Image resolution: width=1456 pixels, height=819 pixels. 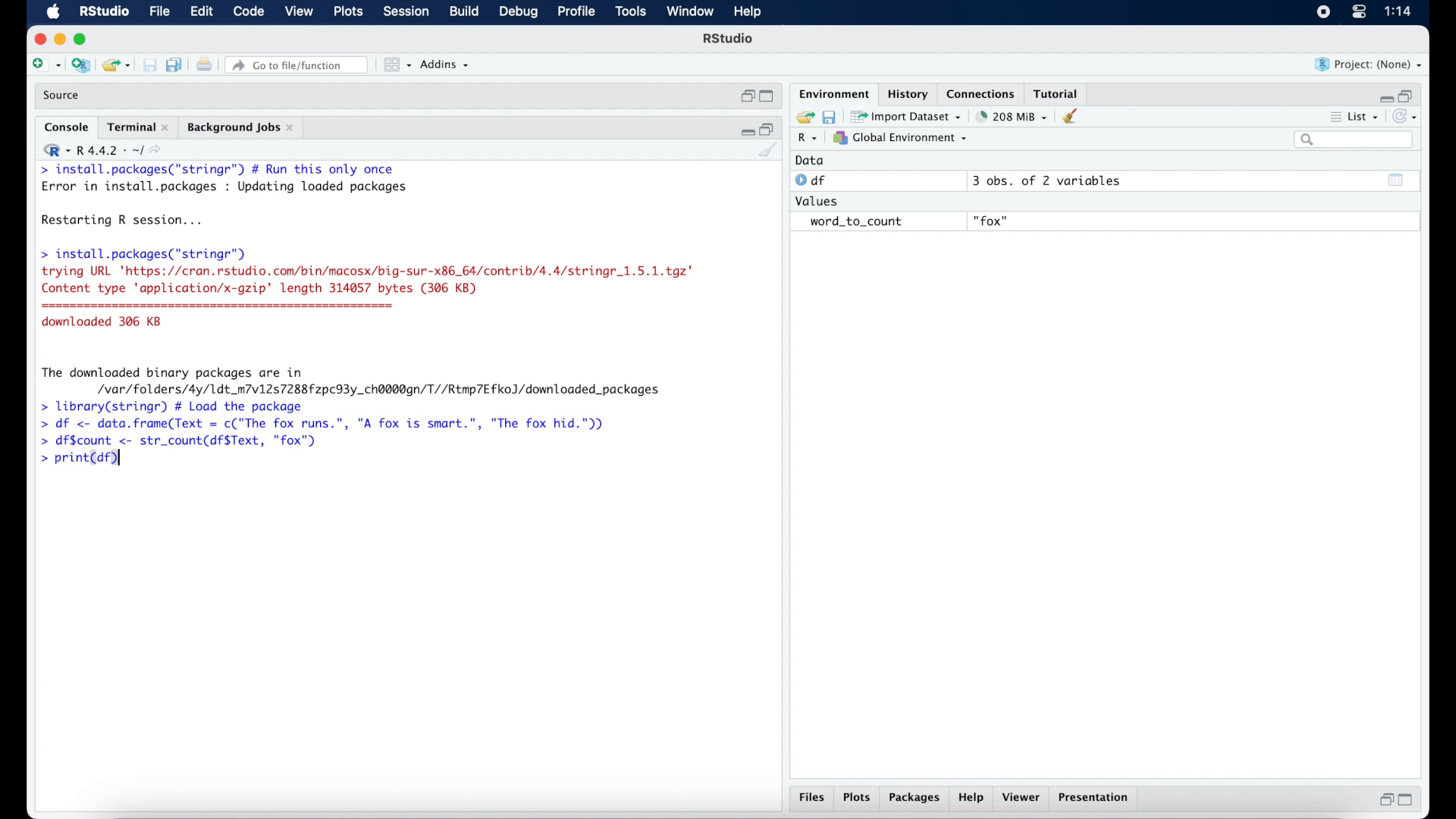 What do you see at coordinates (769, 97) in the screenshot?
I see `maximize` at bounding box center [769, 97].